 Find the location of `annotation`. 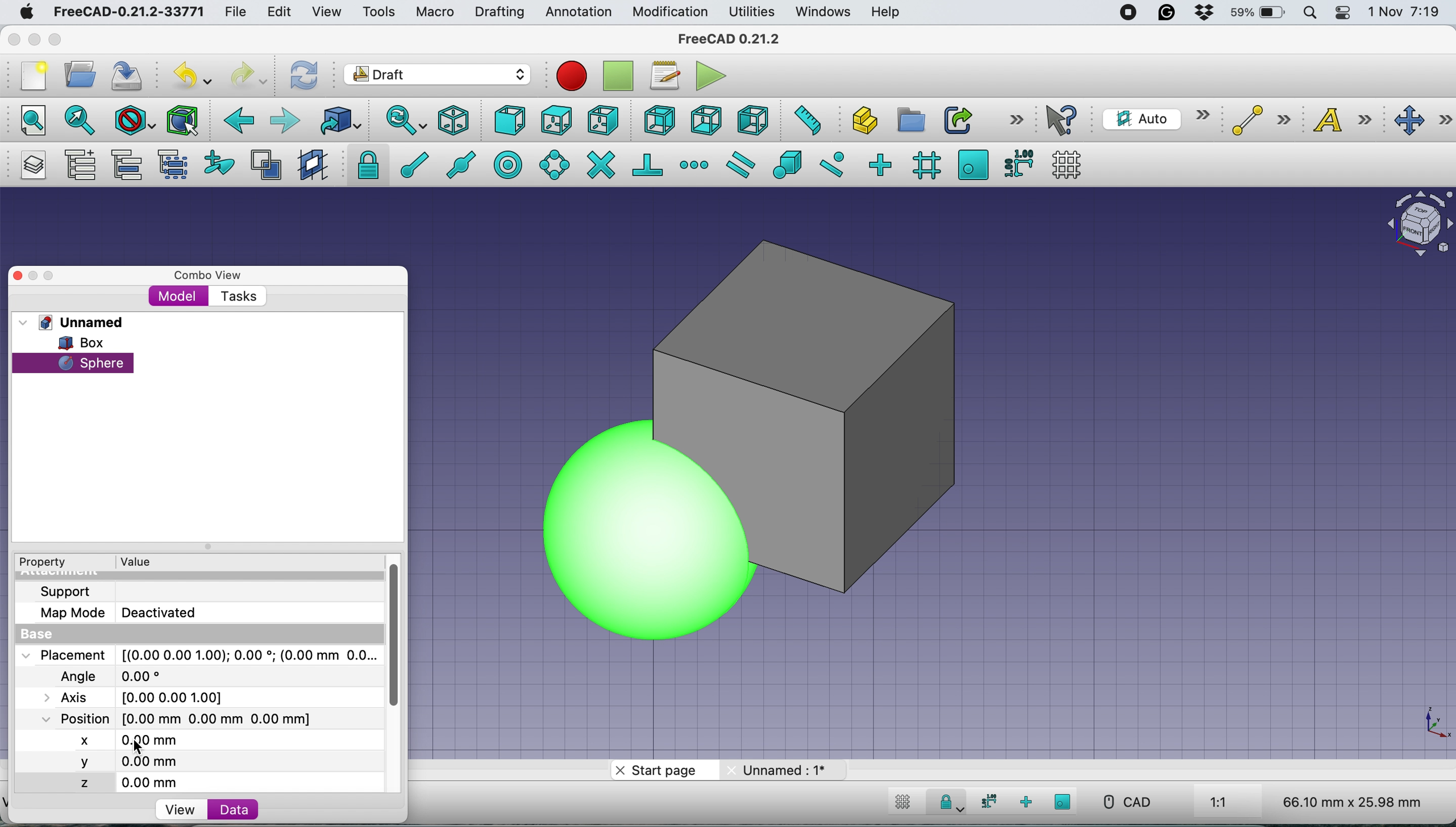

annotation is located at coordinates (576, 12).